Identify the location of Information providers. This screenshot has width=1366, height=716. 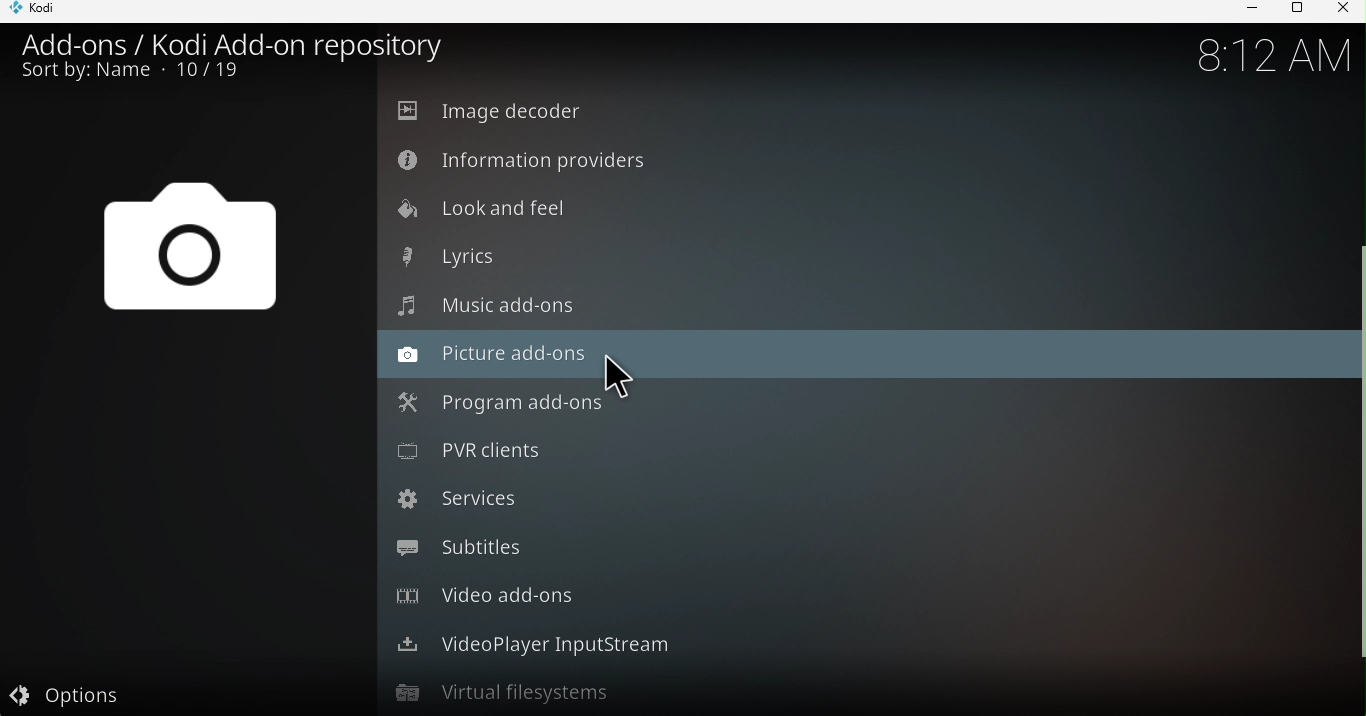
(863, 160).